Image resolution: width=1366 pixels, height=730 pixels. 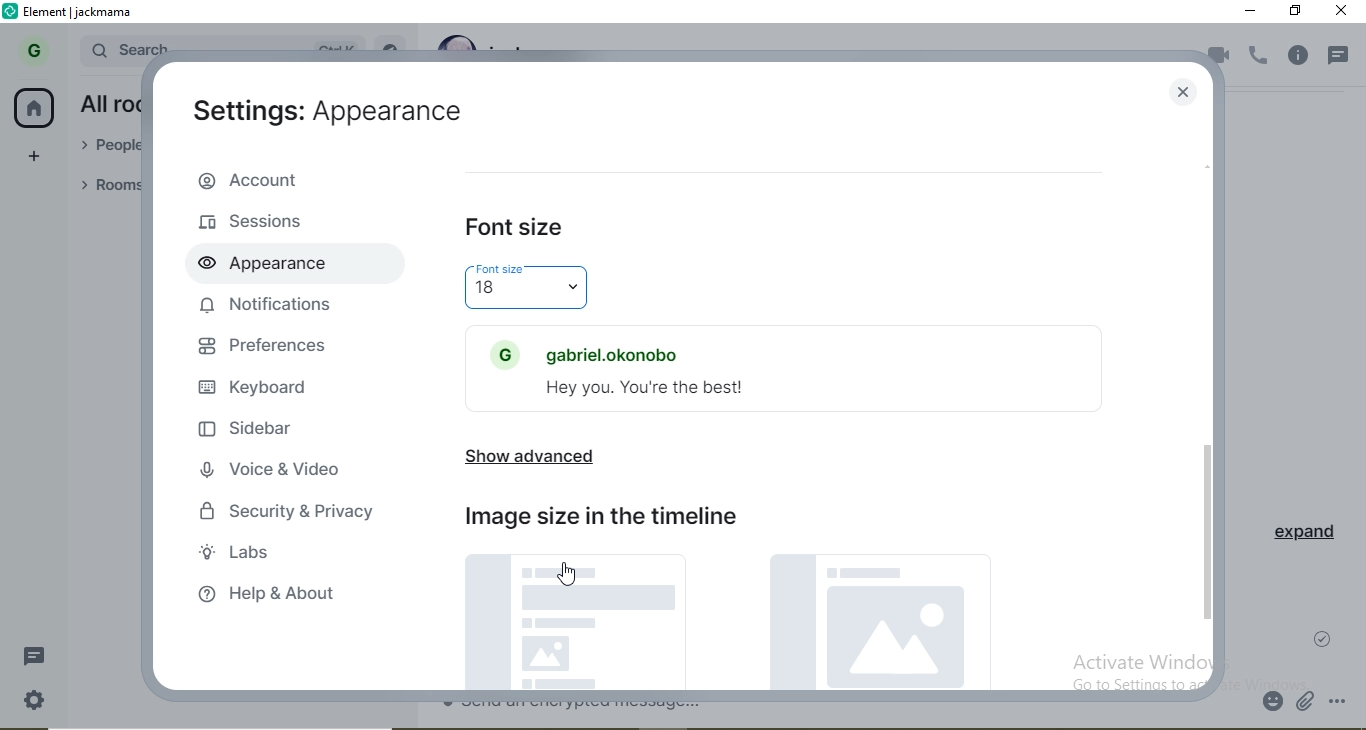 I want to click on minimise, so click(x=1251, y=12).